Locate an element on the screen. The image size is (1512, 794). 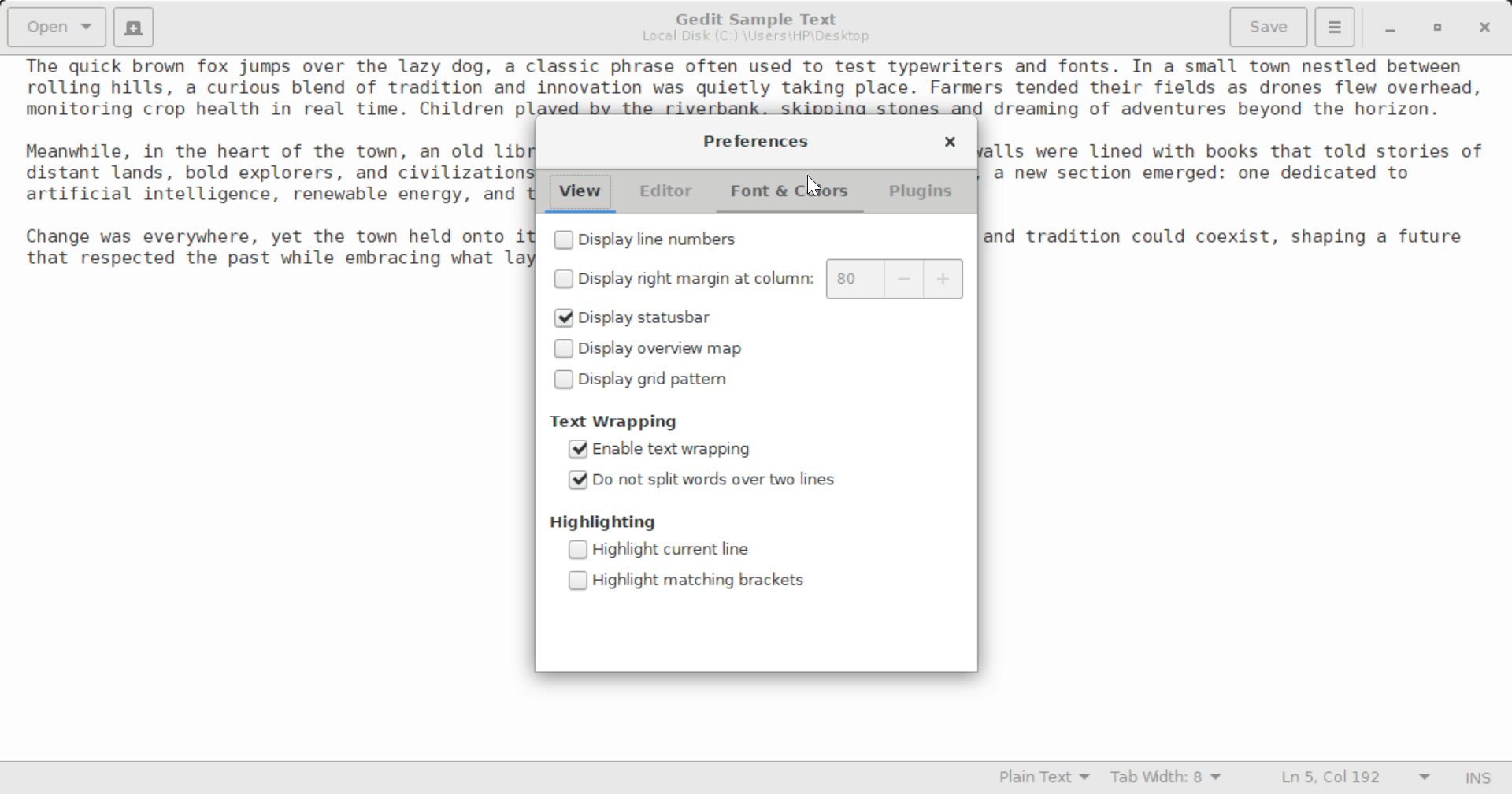
Column Value is located at coordinates (897, 277).